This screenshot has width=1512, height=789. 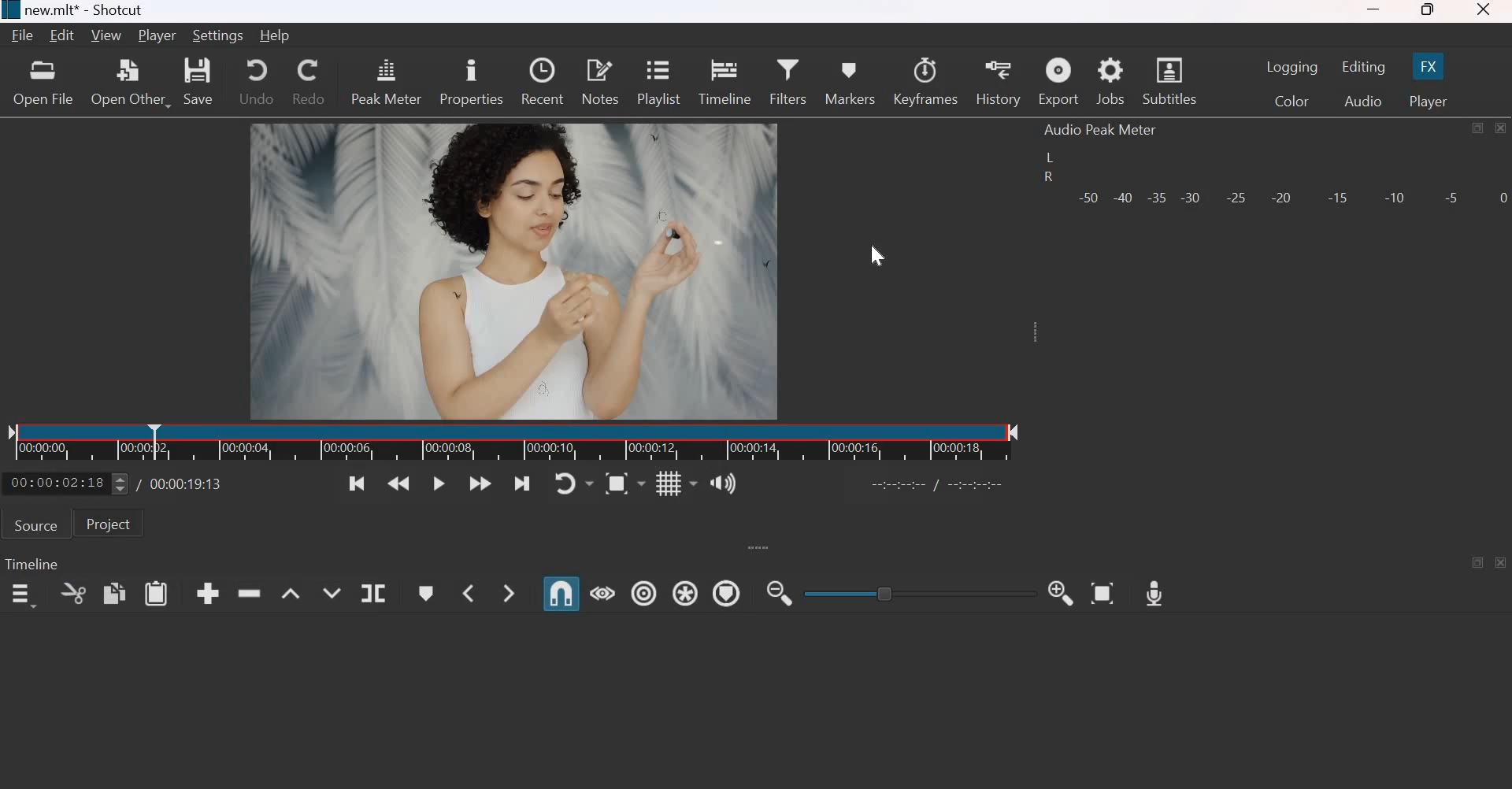 What do you see at coordinates (1364, 100) in the screenshot?
I see `Audio` at bounding box center [1364, 100].